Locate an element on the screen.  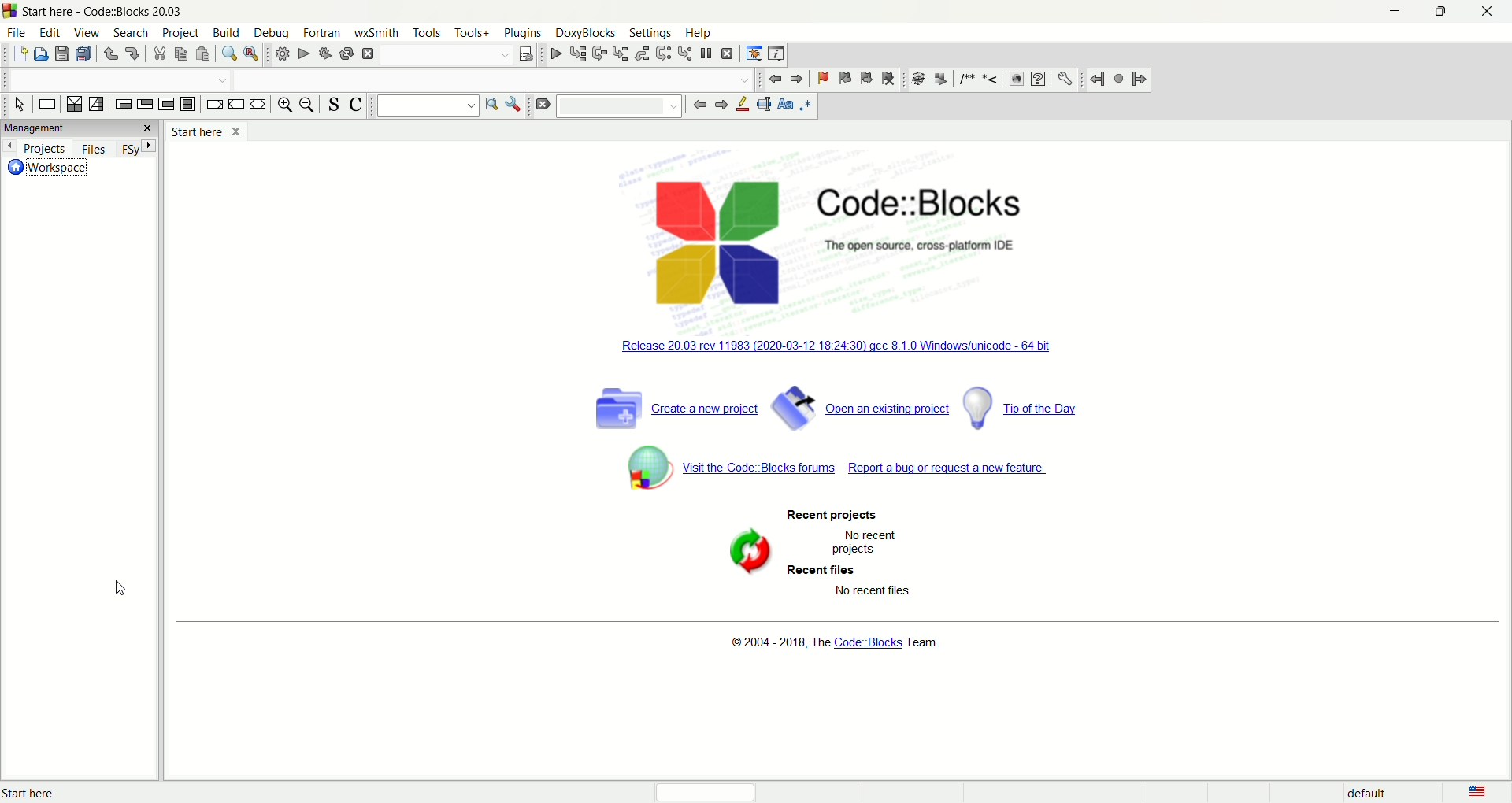
debug is located at coordinates (272, 32).